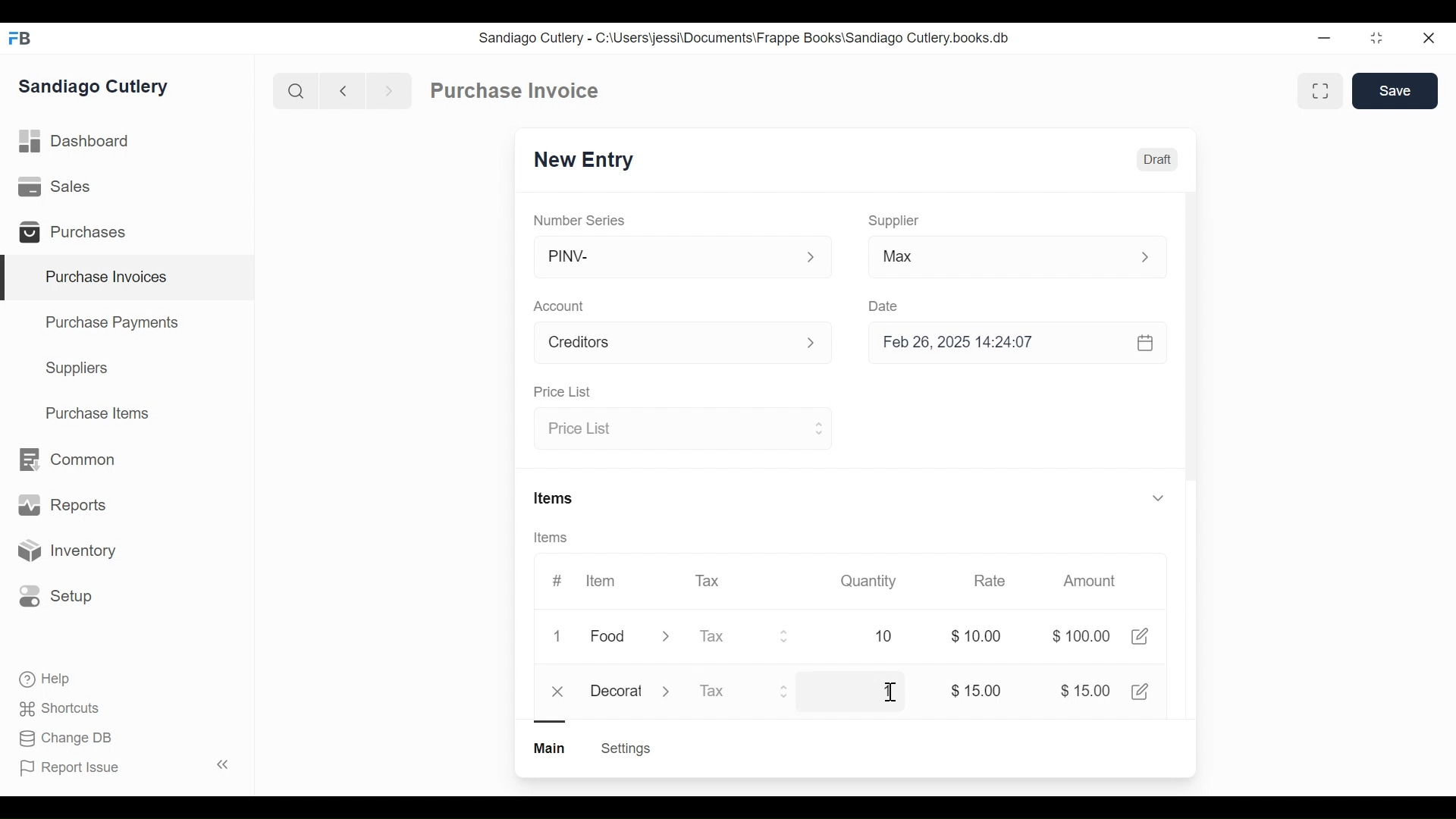 The height and width of the screenshot is (819, 1456). I want to click on Cursor, so click(889, 694).